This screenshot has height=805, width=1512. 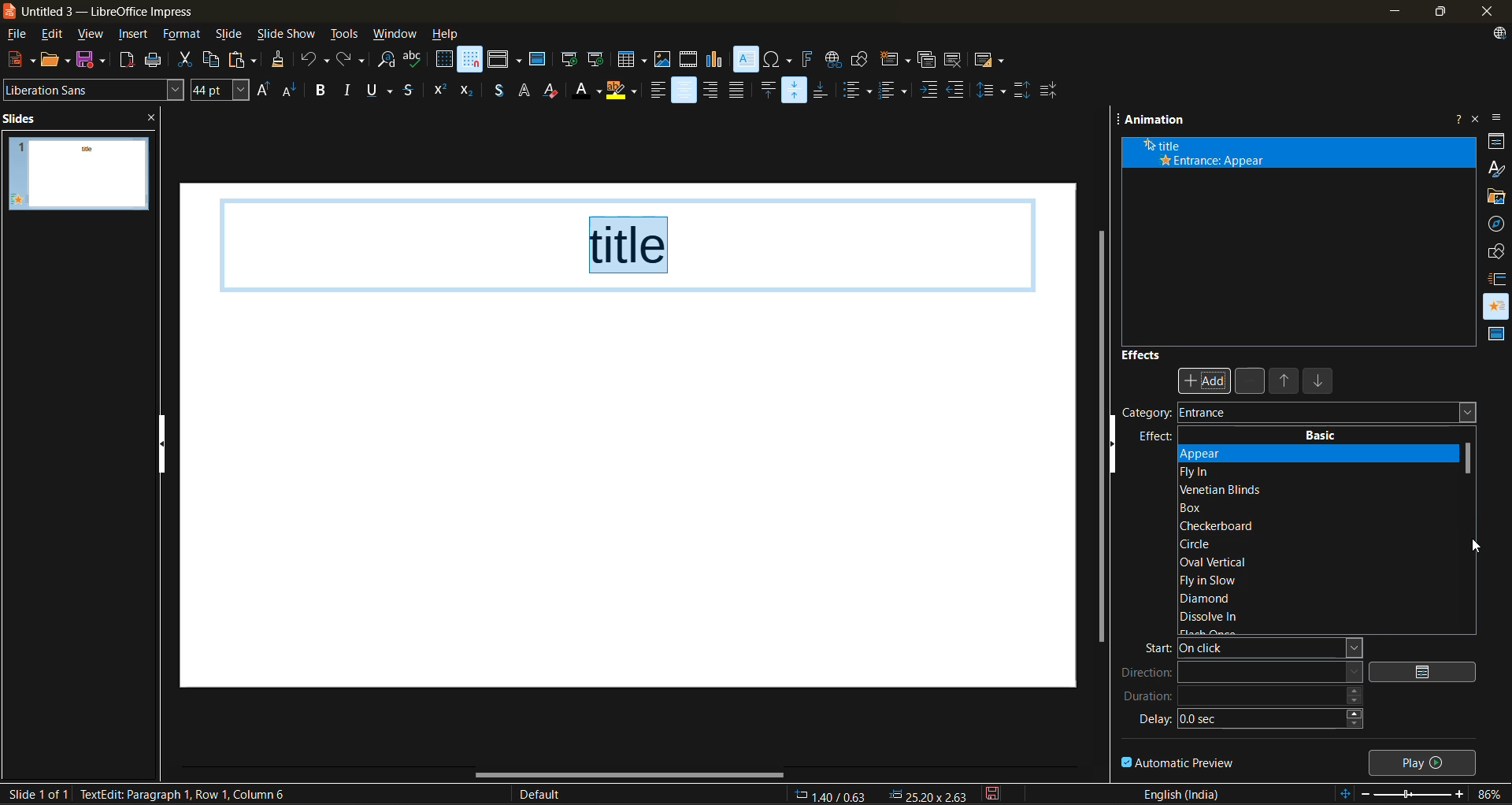 I want to click on align top, so click(x=766, y=91).